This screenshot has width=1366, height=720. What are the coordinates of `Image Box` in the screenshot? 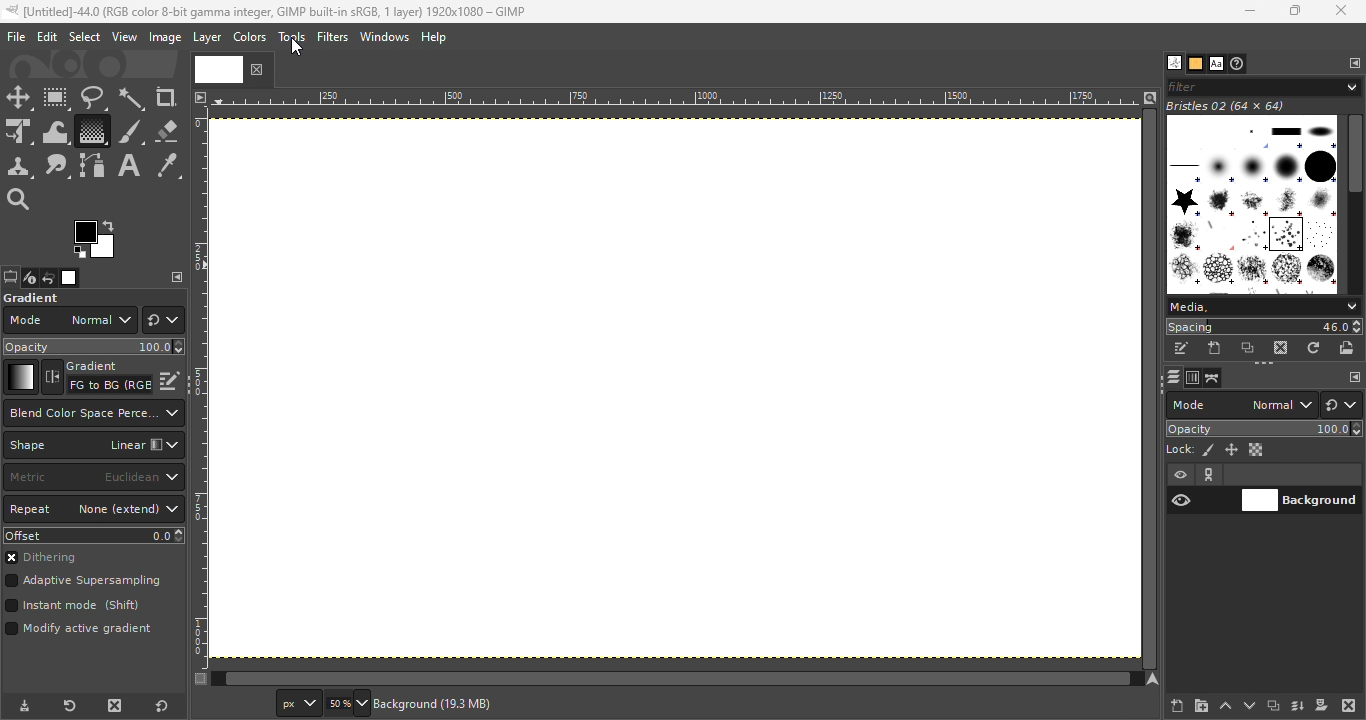 It's located at (1252, 197).